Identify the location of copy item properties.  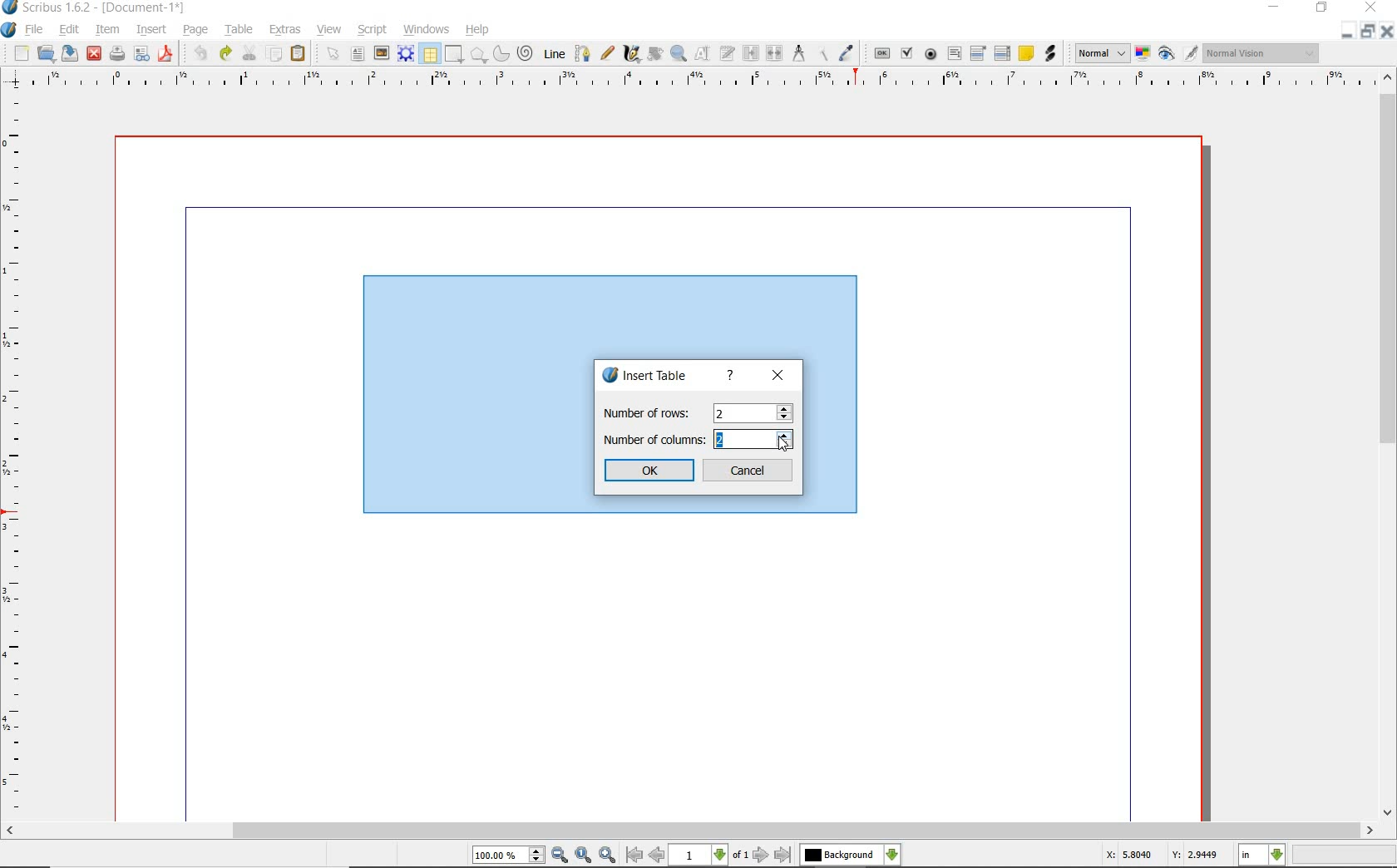
(822, 54).